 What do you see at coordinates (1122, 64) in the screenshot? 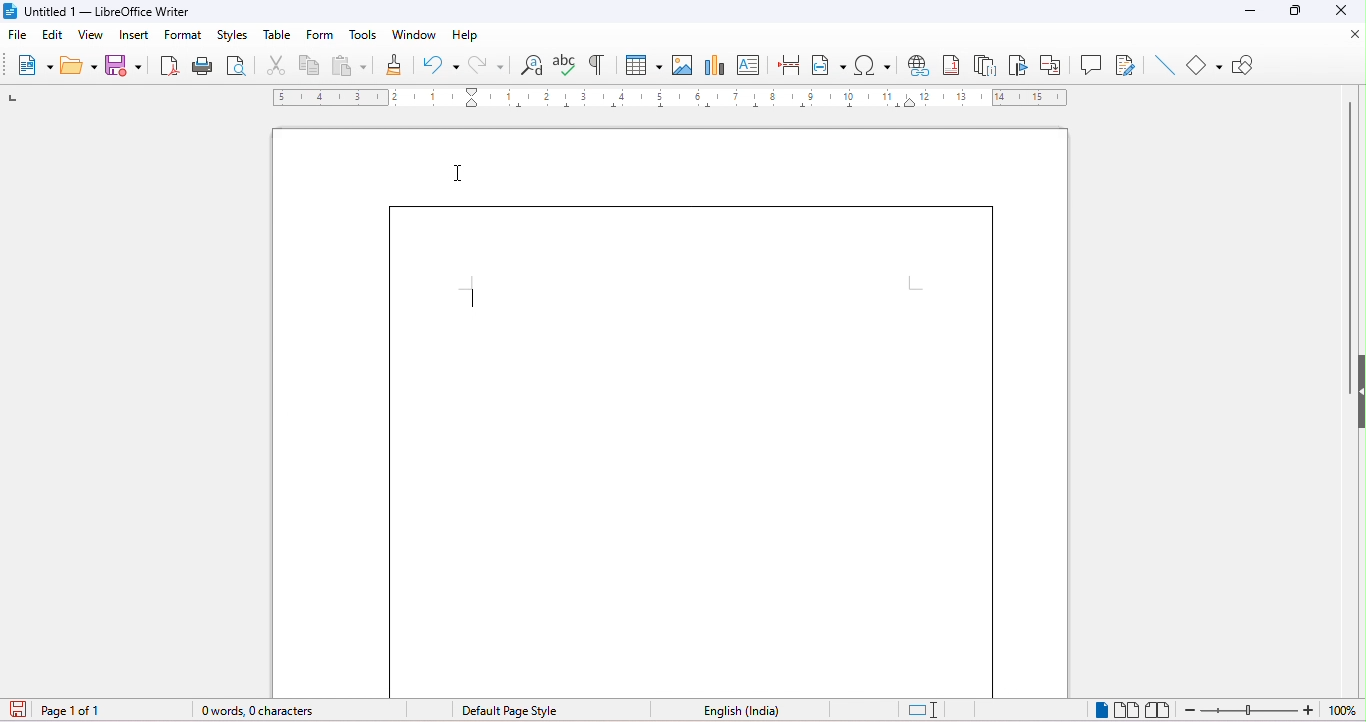
I see `show track` at bounding box center [1122, 64].